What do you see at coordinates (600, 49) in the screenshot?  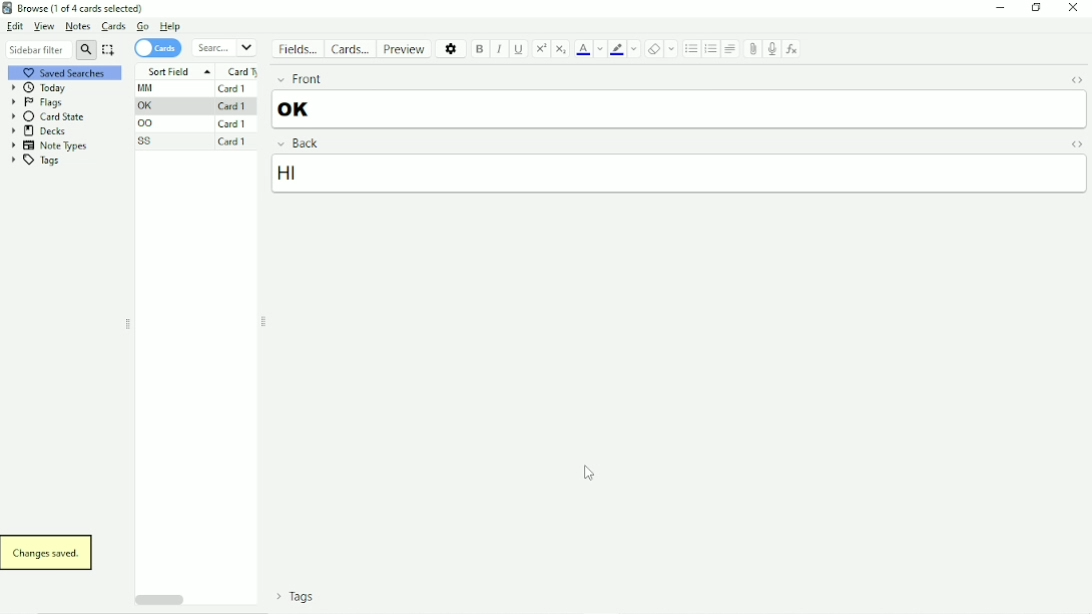 I see `Change color` at bounding box center [600, 49].